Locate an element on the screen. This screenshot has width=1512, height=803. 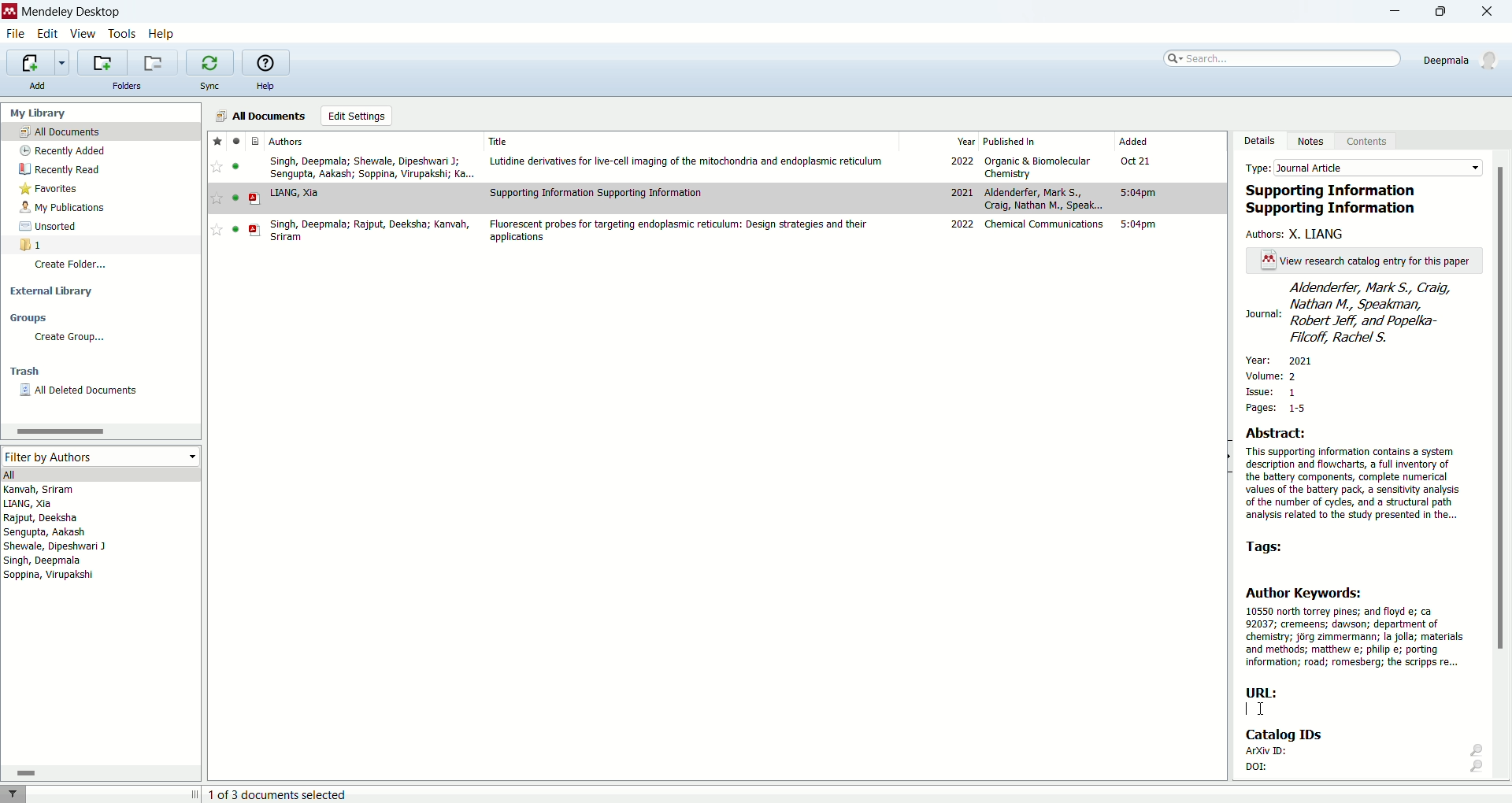
DOI: is located at coordinates (1365, 770).